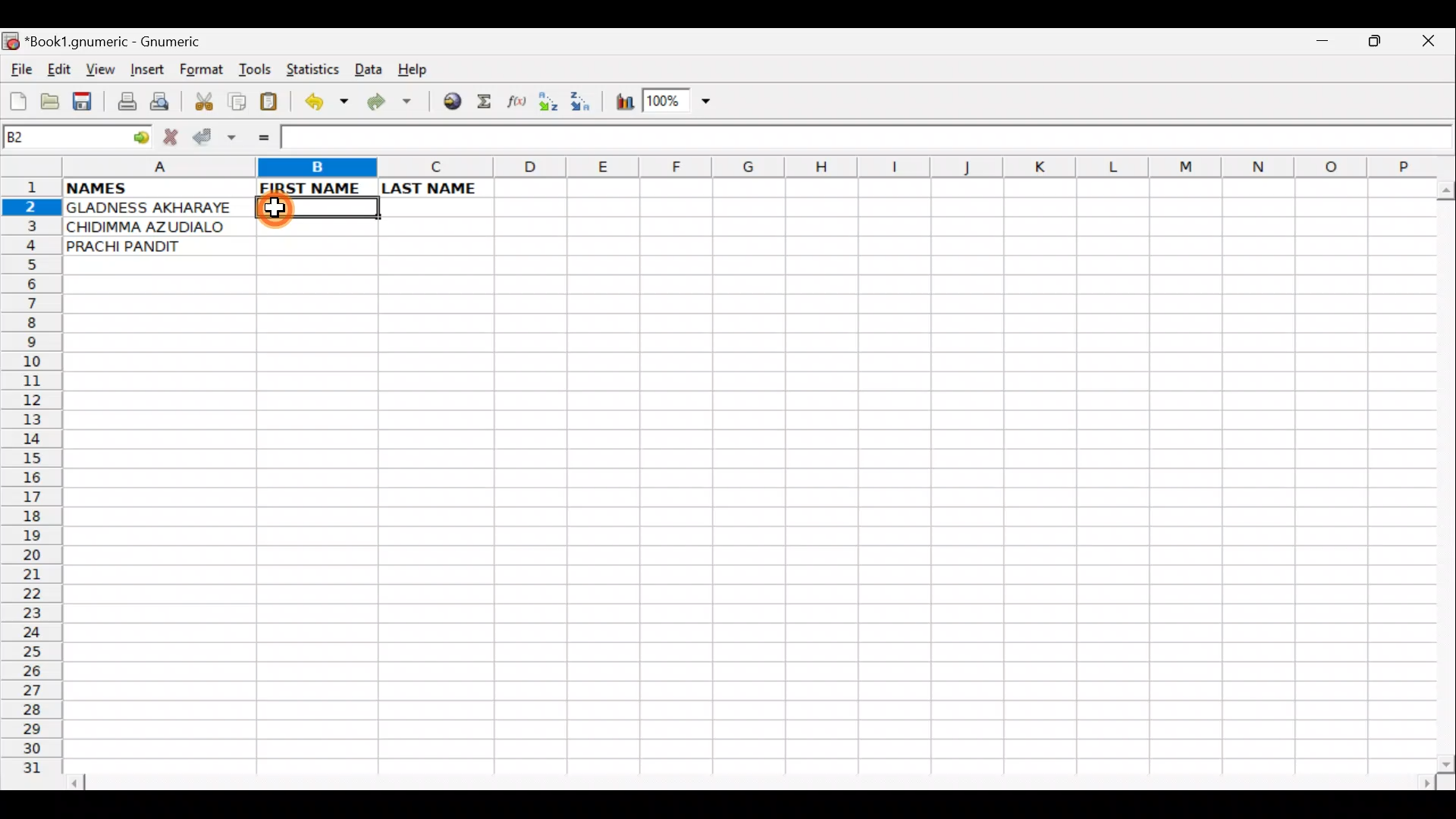 The image size is (1456, 819). I want to click on Save current workbook, so click(86, 102).